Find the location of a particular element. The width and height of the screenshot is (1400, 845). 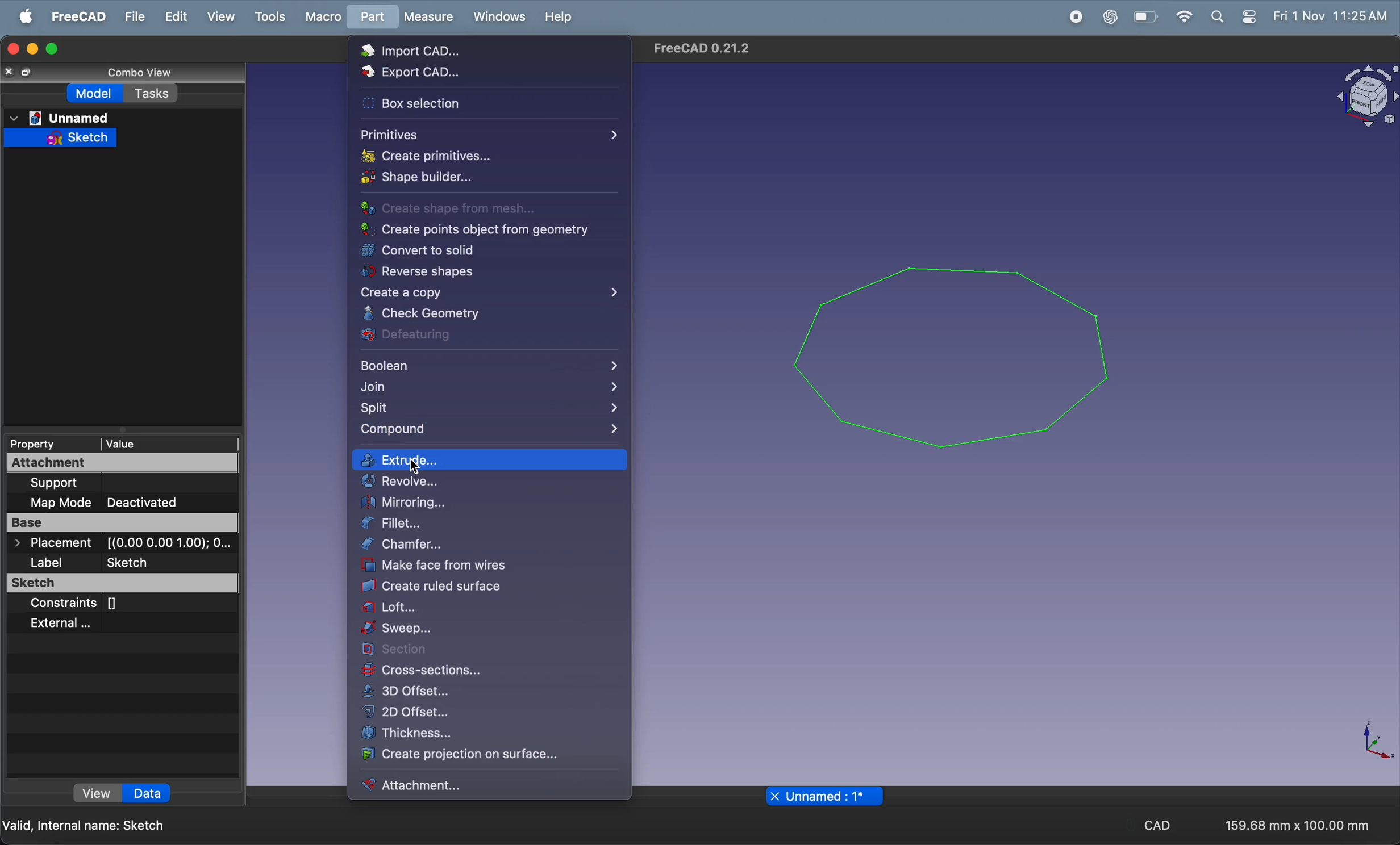

compound is located at coordinates (491, 430).